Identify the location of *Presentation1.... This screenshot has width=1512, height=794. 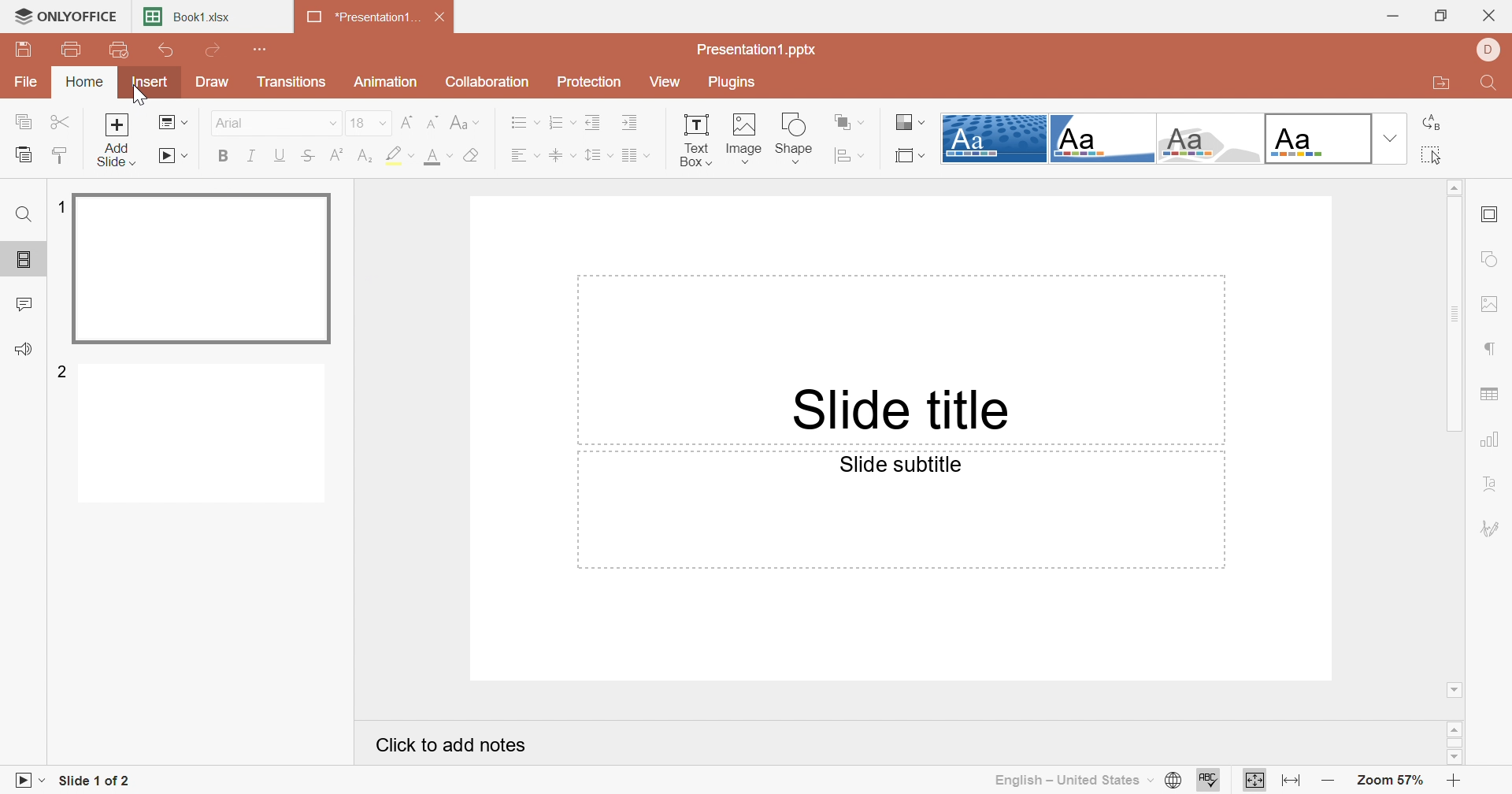
(358, 19).